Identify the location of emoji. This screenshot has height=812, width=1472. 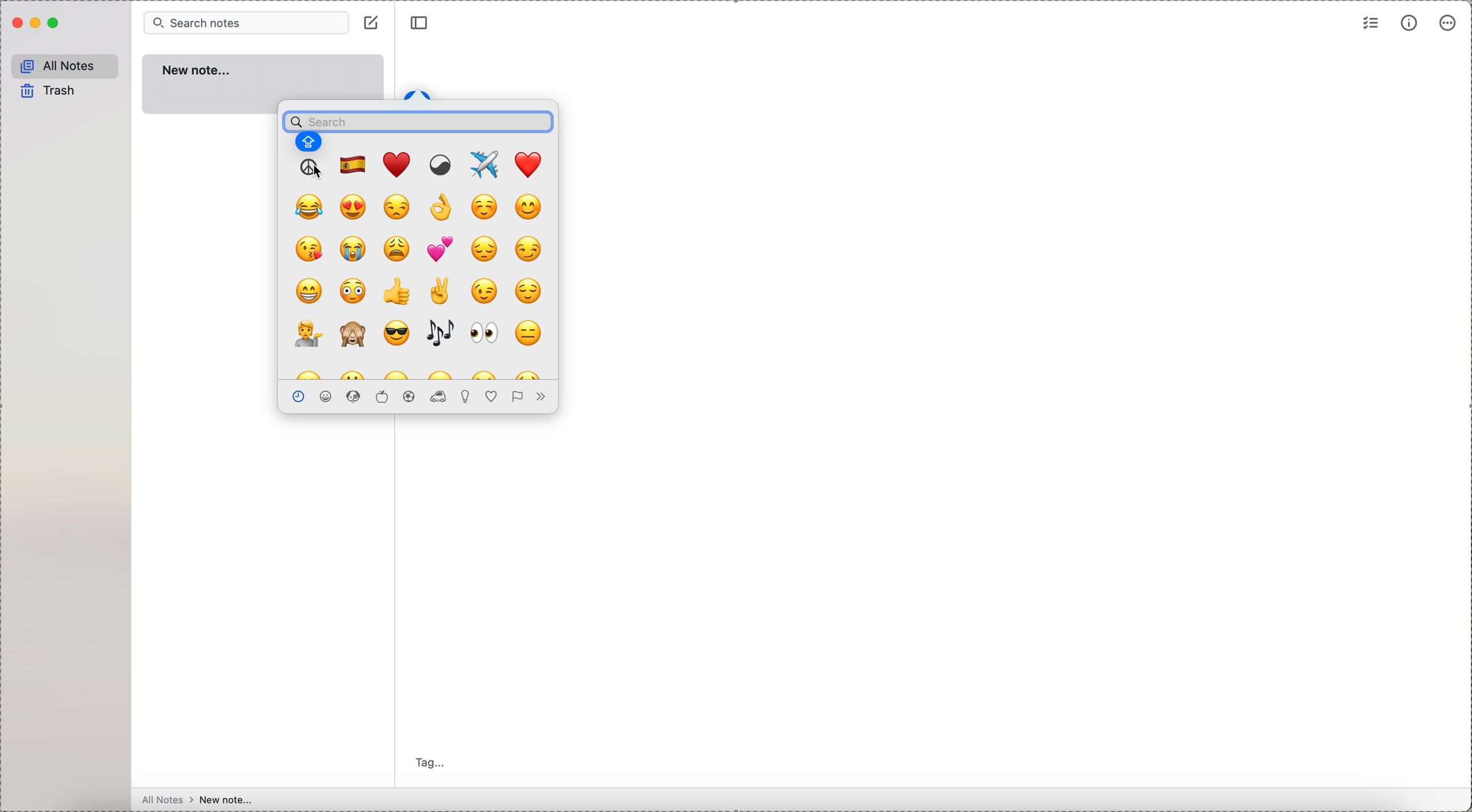
(440, 249).